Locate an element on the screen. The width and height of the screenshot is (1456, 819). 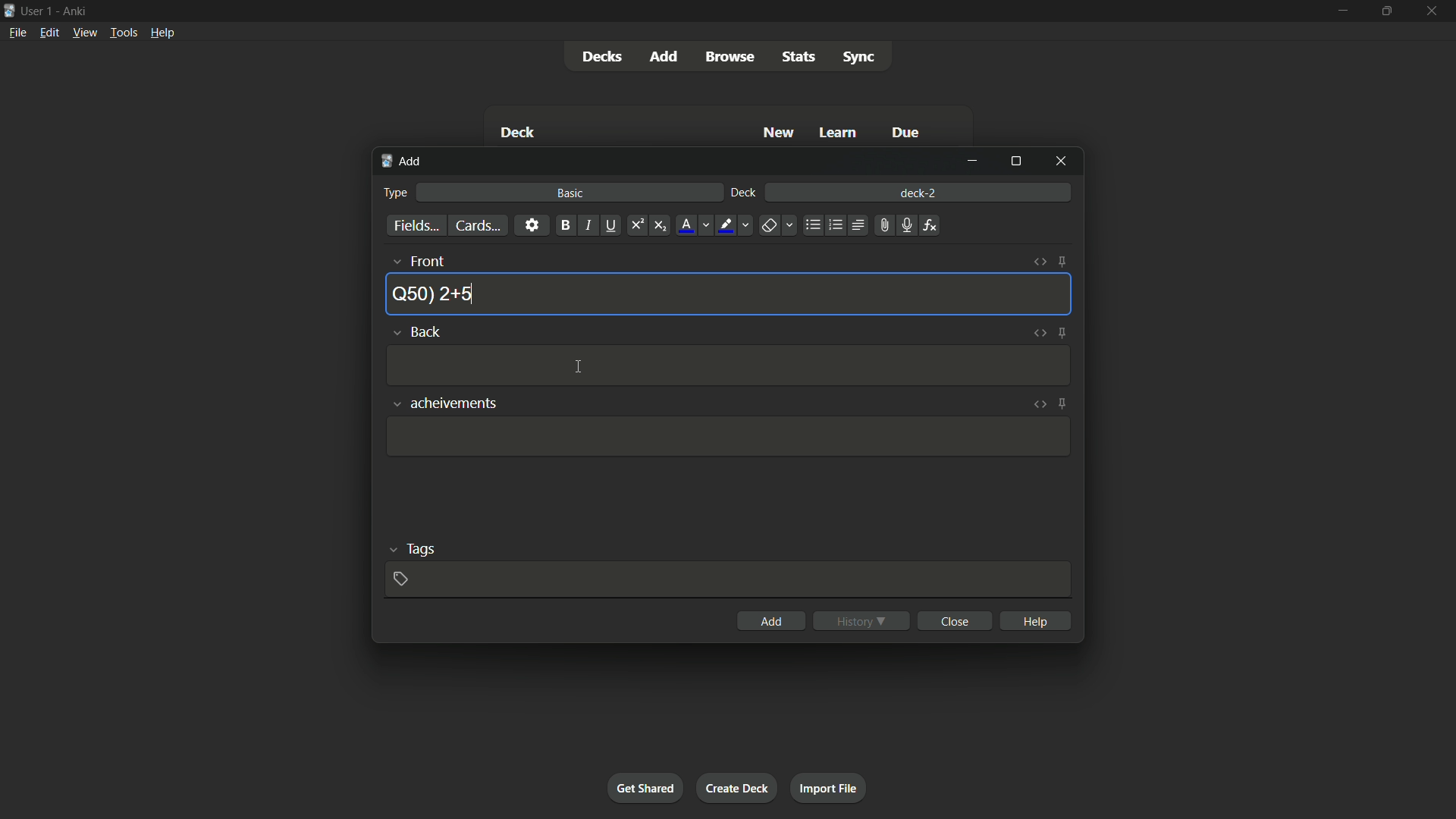
front is located at coordinates (417, 261).